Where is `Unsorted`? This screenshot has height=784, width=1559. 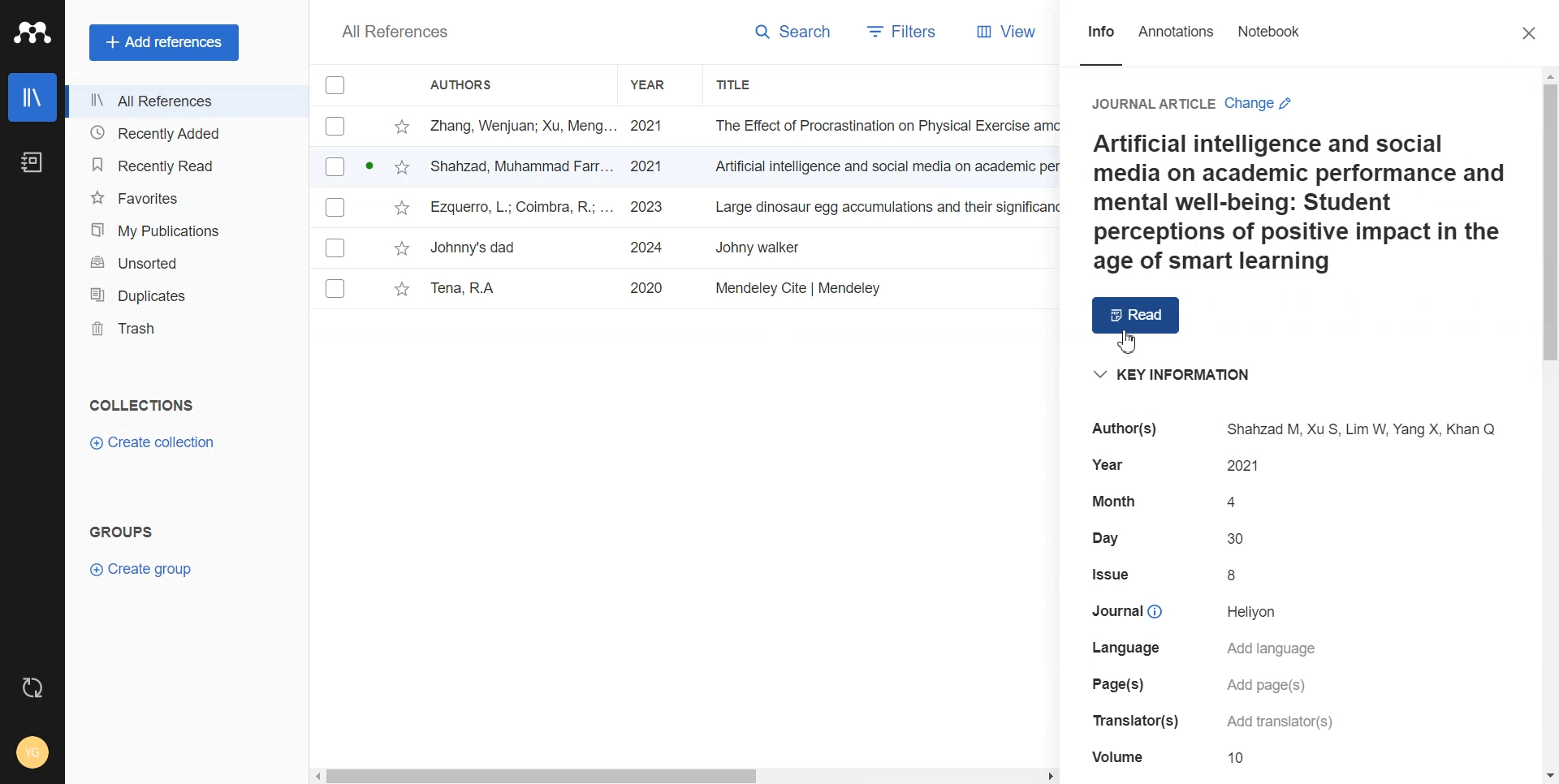
Unsorted is located at coordinates (184, 261).